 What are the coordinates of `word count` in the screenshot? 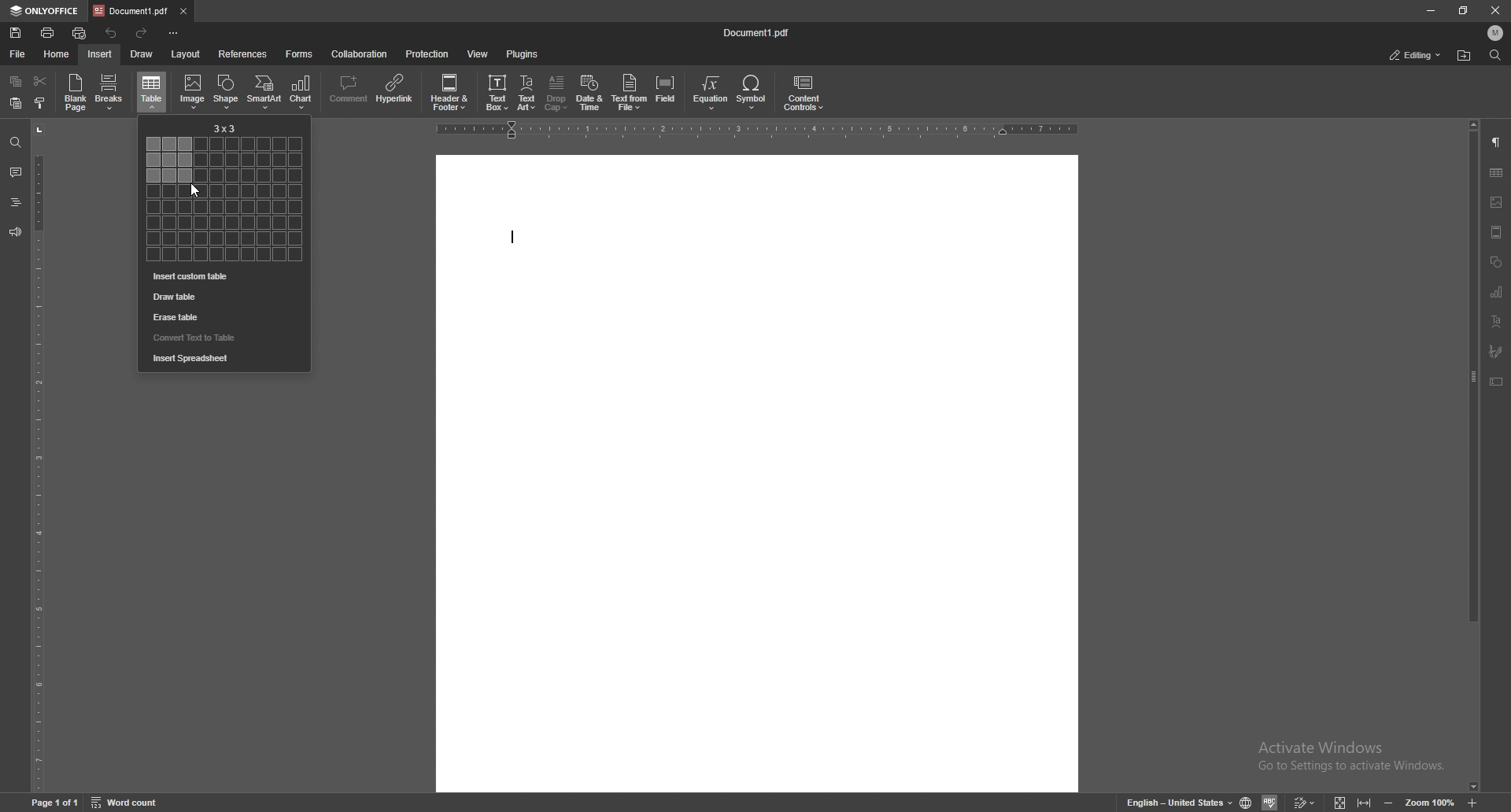 It's located at (125, 802).